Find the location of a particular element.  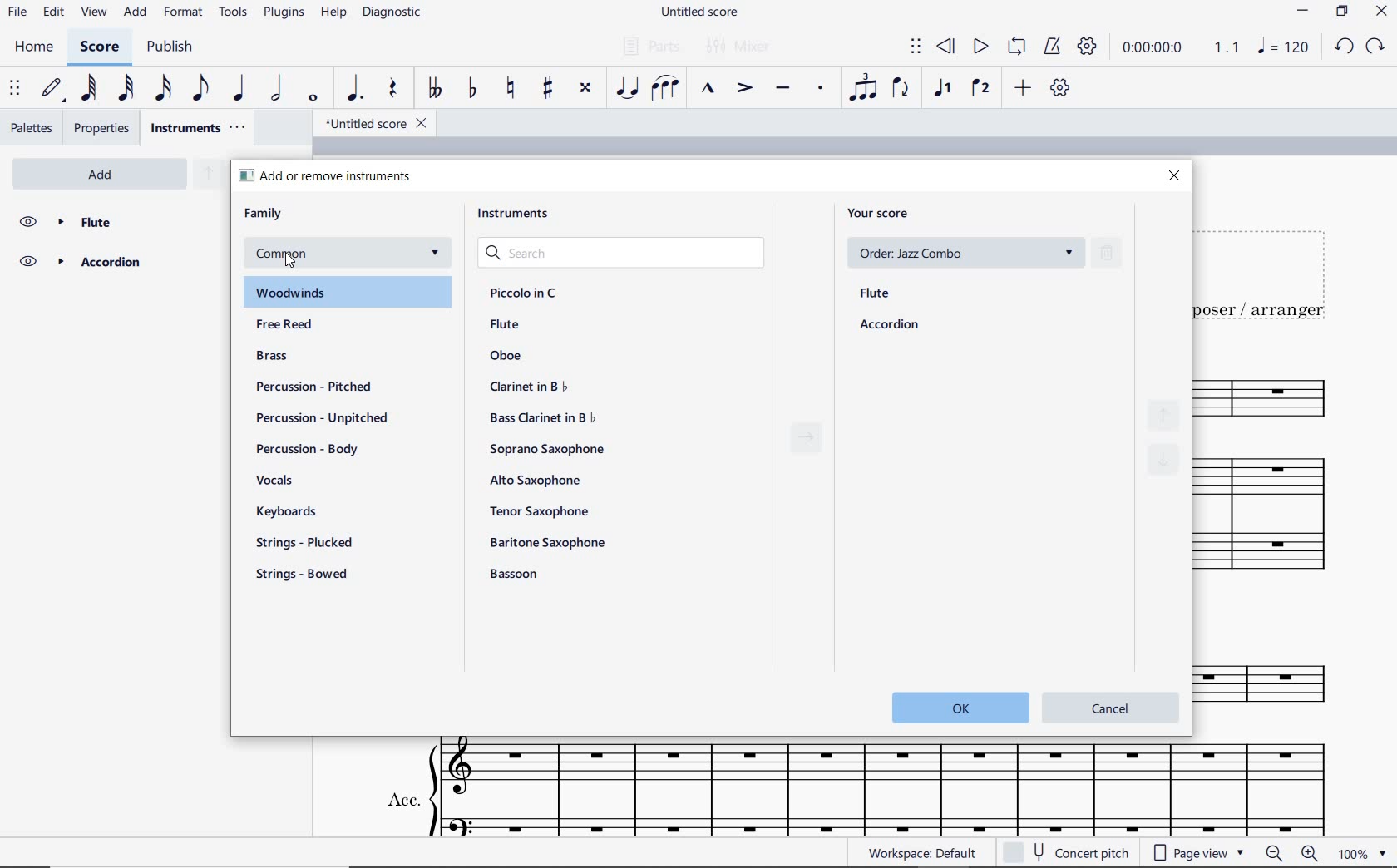

PLUGINS is located at coordinates (286, 13).